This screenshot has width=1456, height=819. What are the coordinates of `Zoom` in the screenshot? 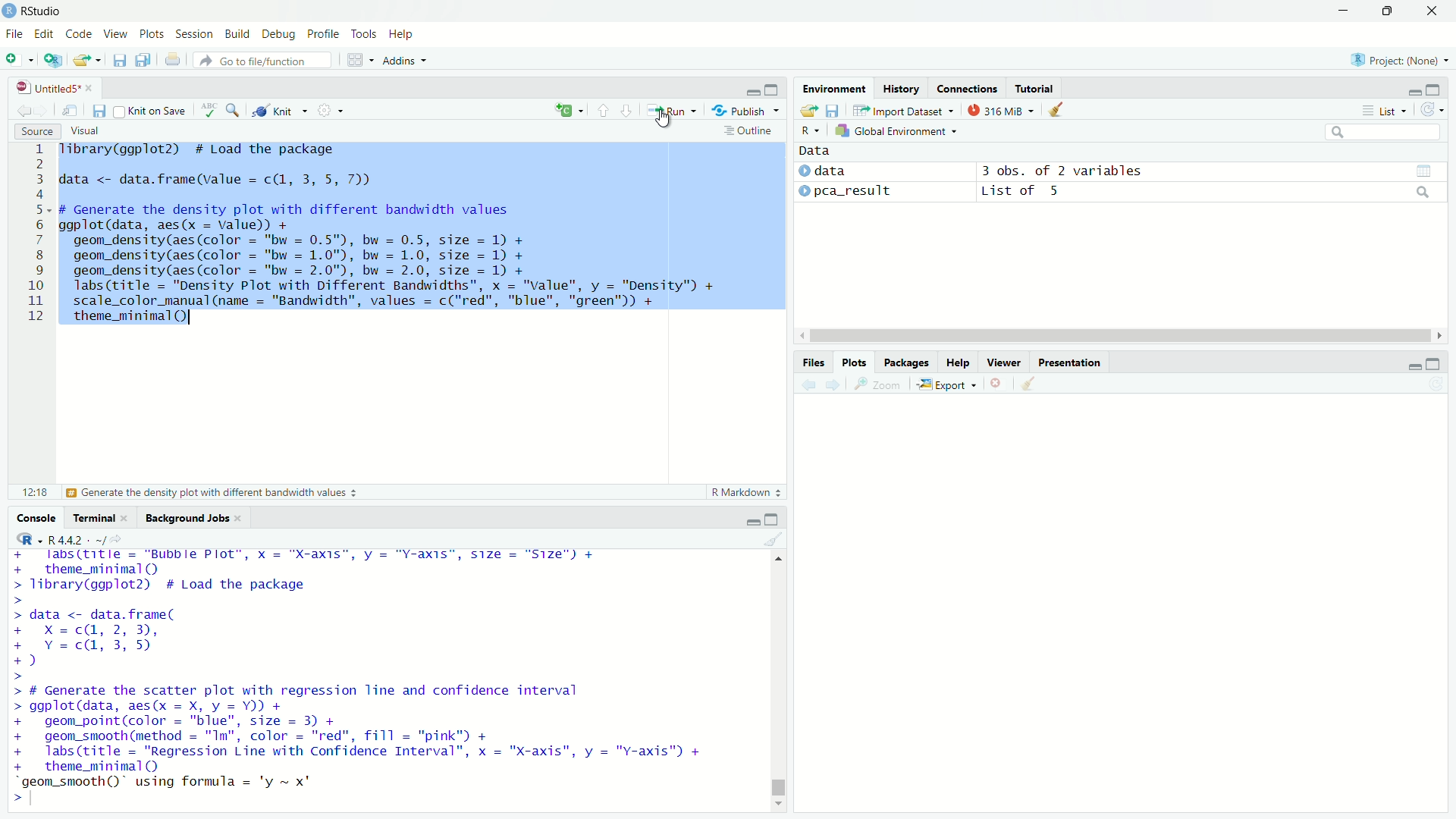 It's located at (878, 384).